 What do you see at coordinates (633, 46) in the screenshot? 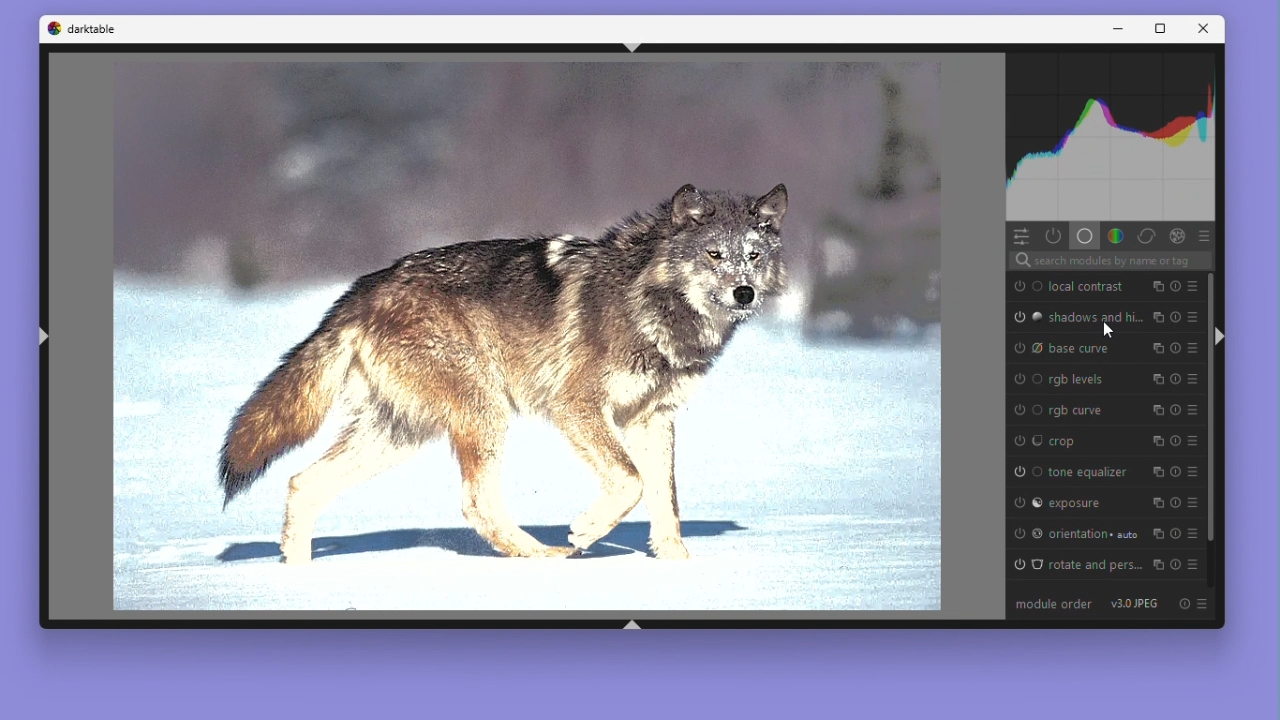
I see `shift+ctrl+t` at bounding box center [633, 46].